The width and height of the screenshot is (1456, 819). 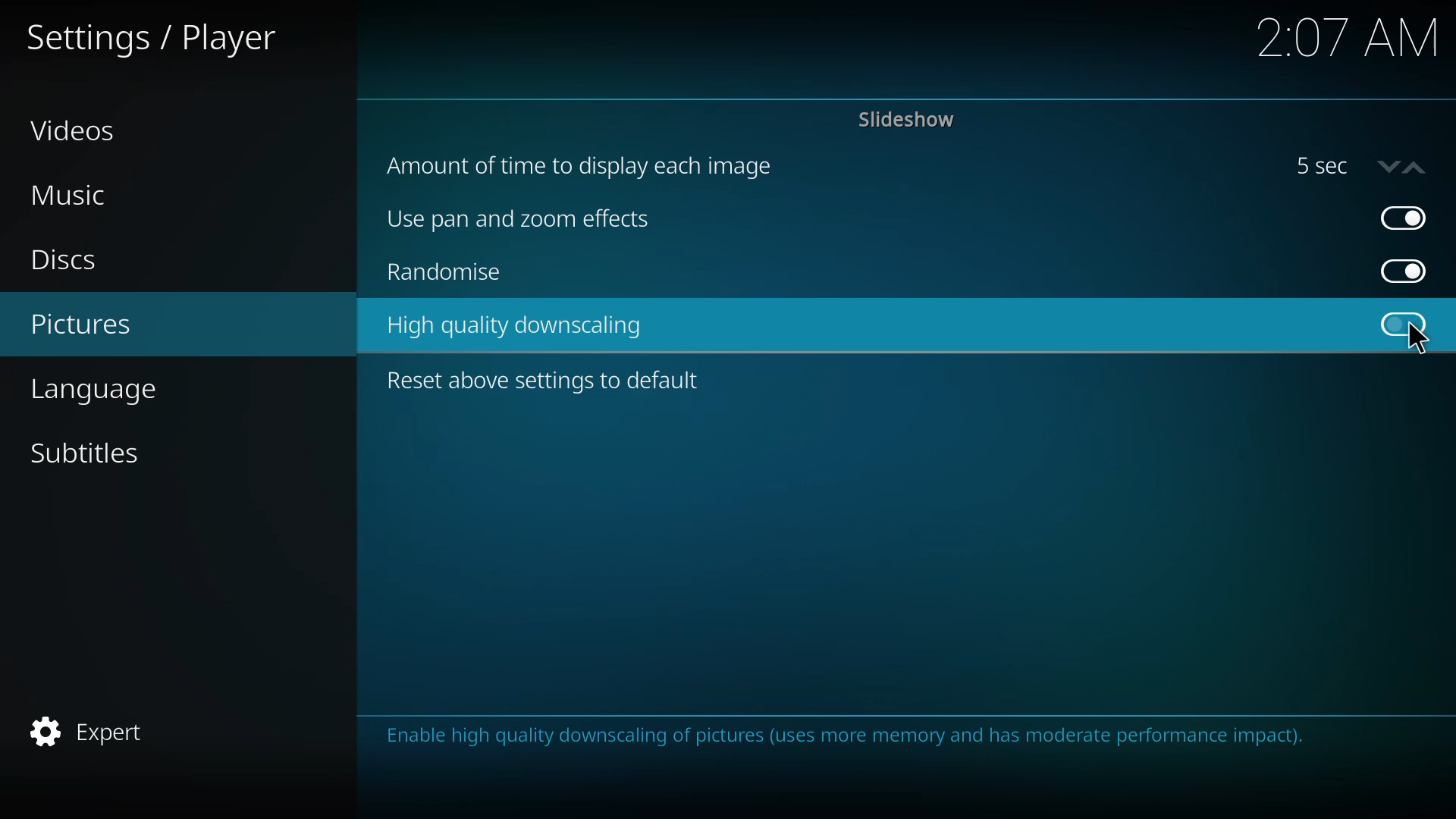 I want to click on randomize, so click(x=447, y=275).